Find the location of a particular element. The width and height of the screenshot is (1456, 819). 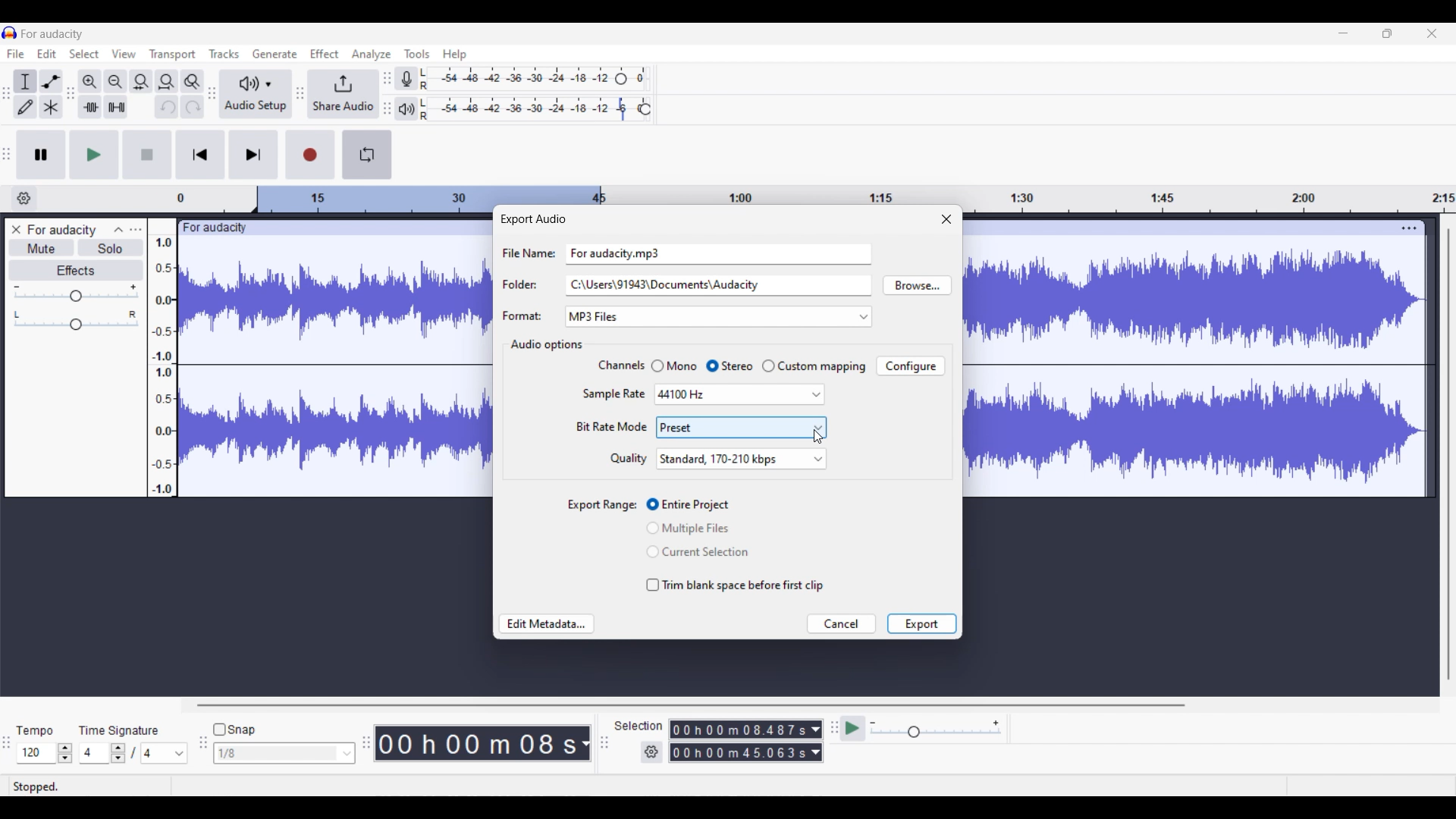

Track name - For audacity is located at coordinates (63, 230).